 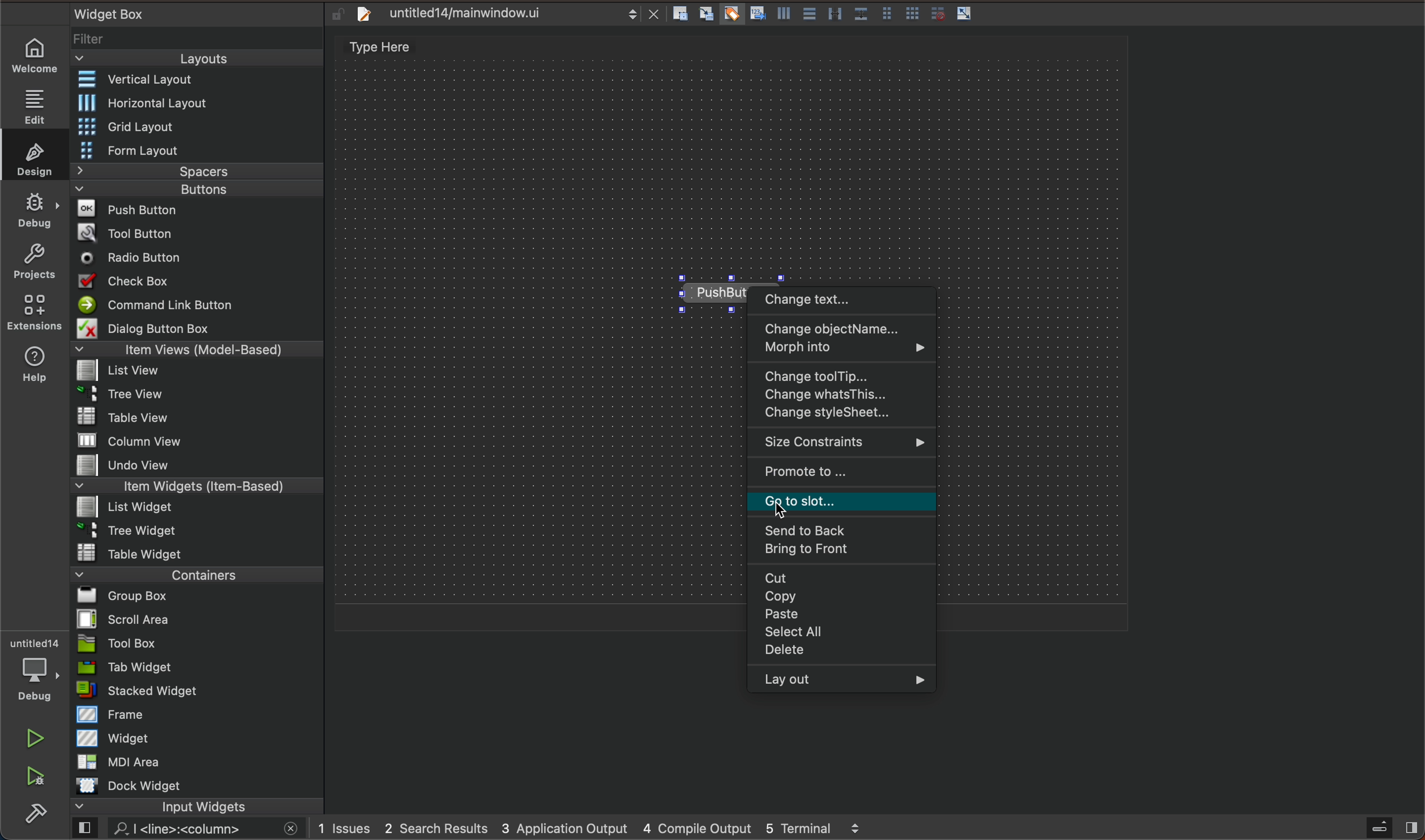 What do you see at coordinates (831, 828) in the screenshot?
I see `5 terminal` at bounding box center [831, 828].